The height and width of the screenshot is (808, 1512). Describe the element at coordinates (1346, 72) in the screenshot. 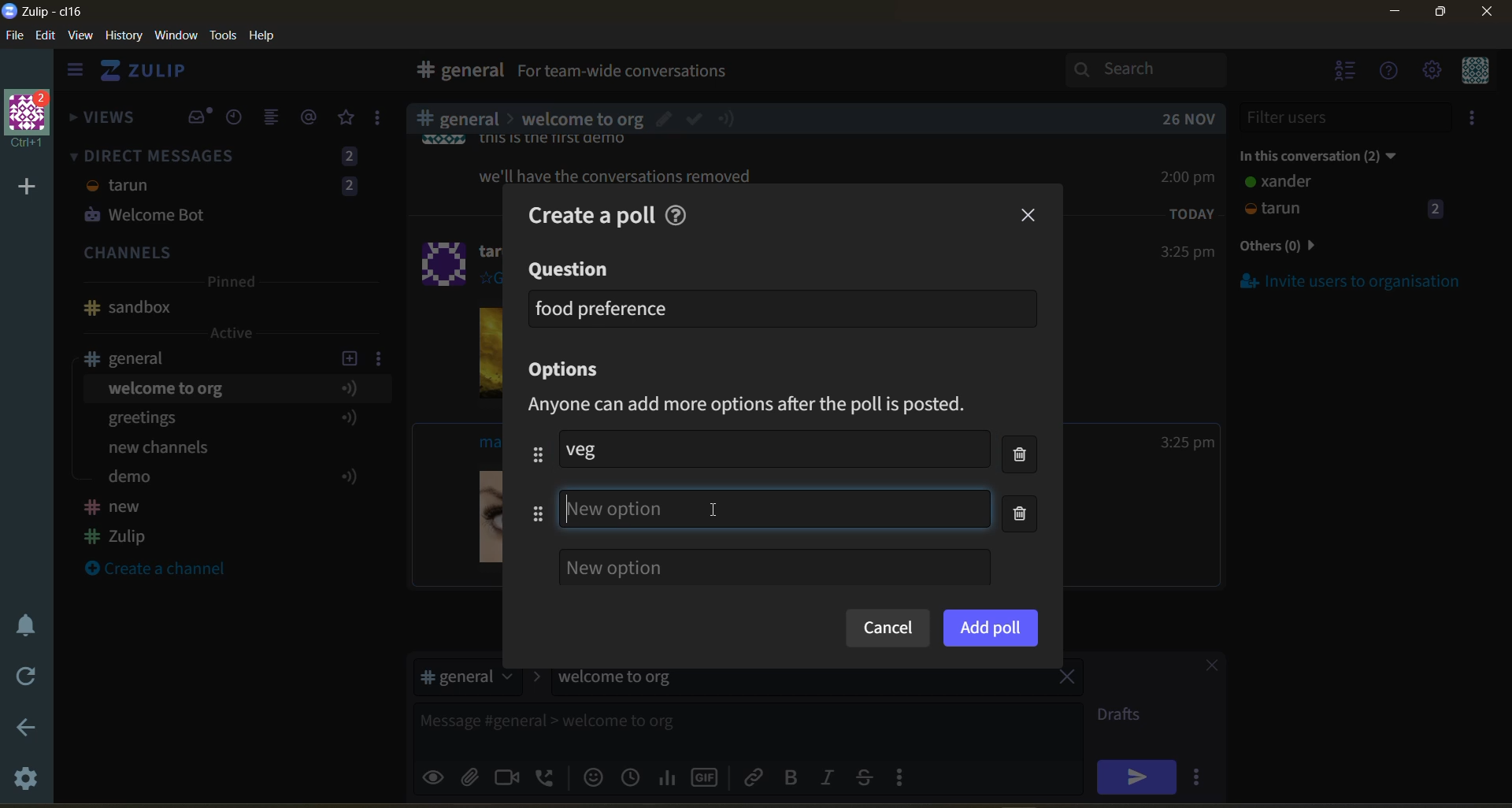

I see `hide user list` at that location.